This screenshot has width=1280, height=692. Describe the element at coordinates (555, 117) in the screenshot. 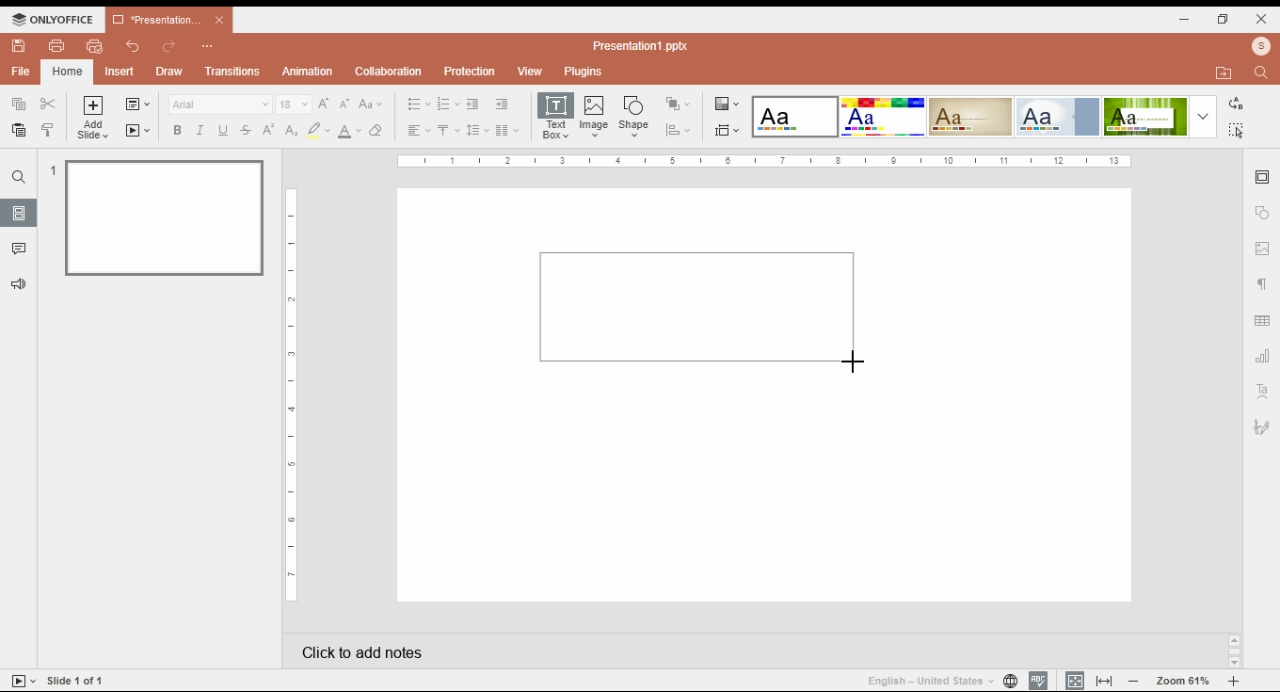

I see `insert text box` at that location.